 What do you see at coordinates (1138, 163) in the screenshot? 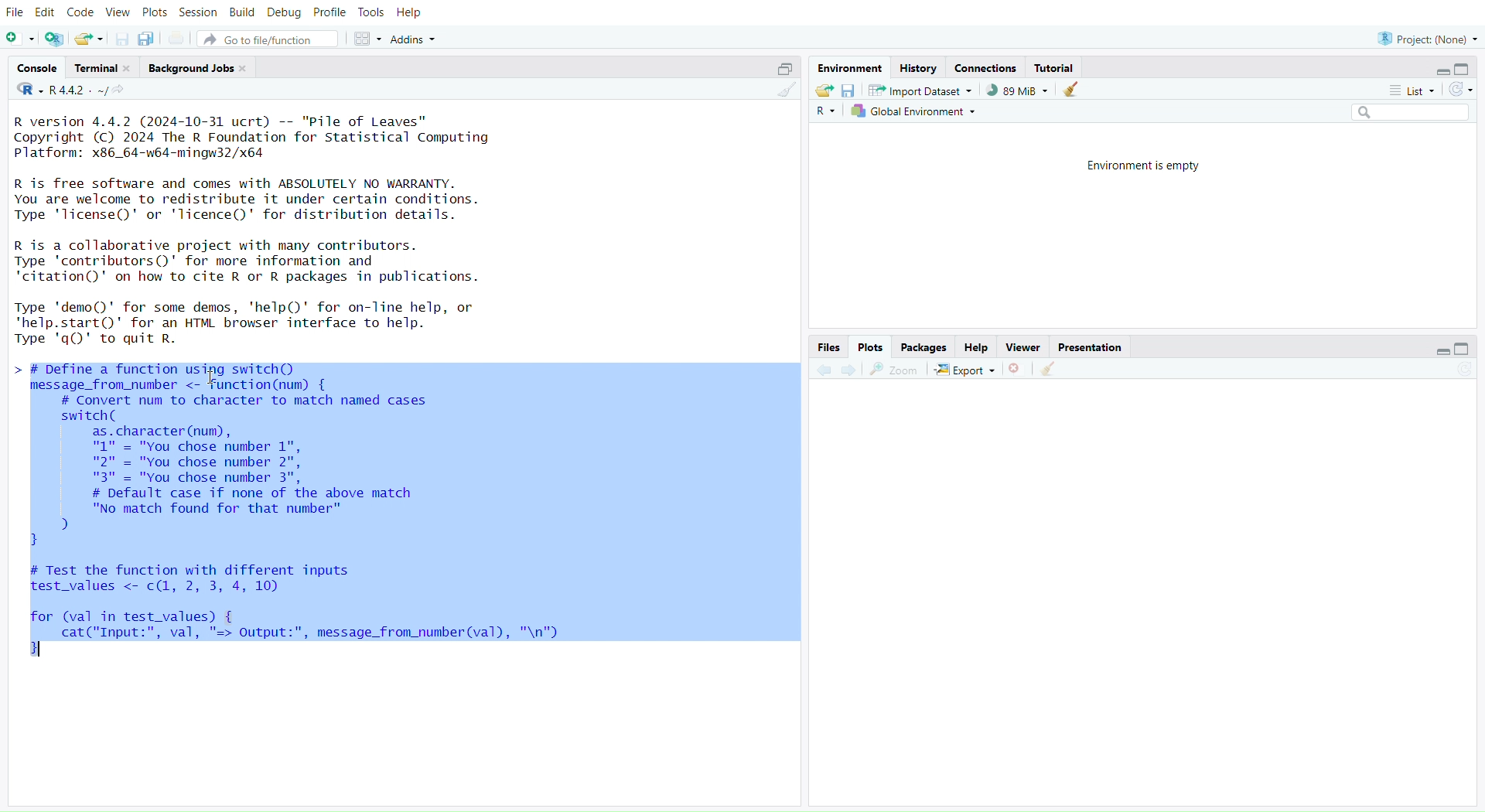
I see `Environment is empty` at bounding box center [1138, 163].